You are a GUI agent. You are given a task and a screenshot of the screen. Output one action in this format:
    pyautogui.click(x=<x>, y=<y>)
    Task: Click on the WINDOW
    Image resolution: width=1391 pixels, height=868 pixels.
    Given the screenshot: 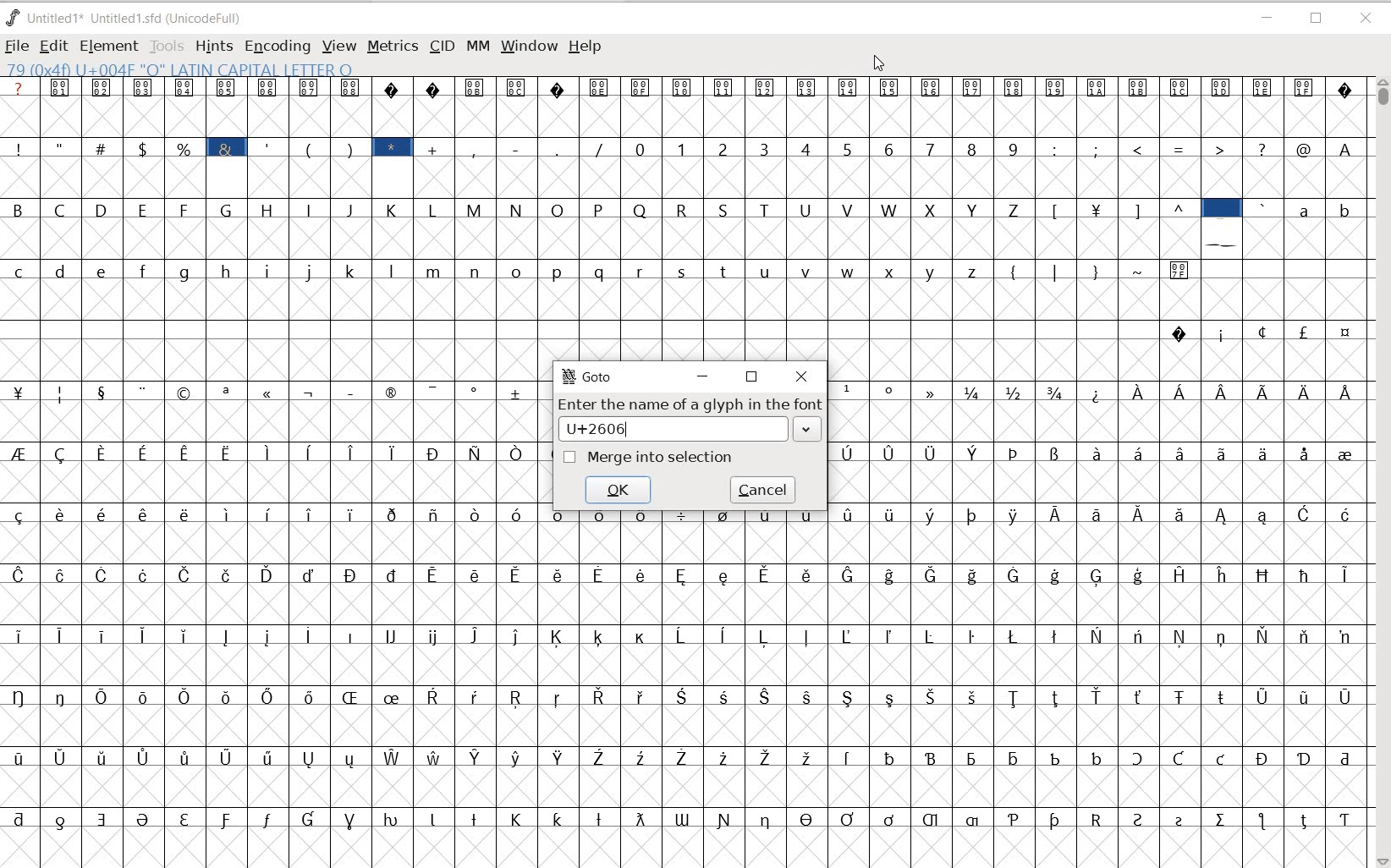 What is the action you would take?
    pyautogui.click(x=528, y=46)
    